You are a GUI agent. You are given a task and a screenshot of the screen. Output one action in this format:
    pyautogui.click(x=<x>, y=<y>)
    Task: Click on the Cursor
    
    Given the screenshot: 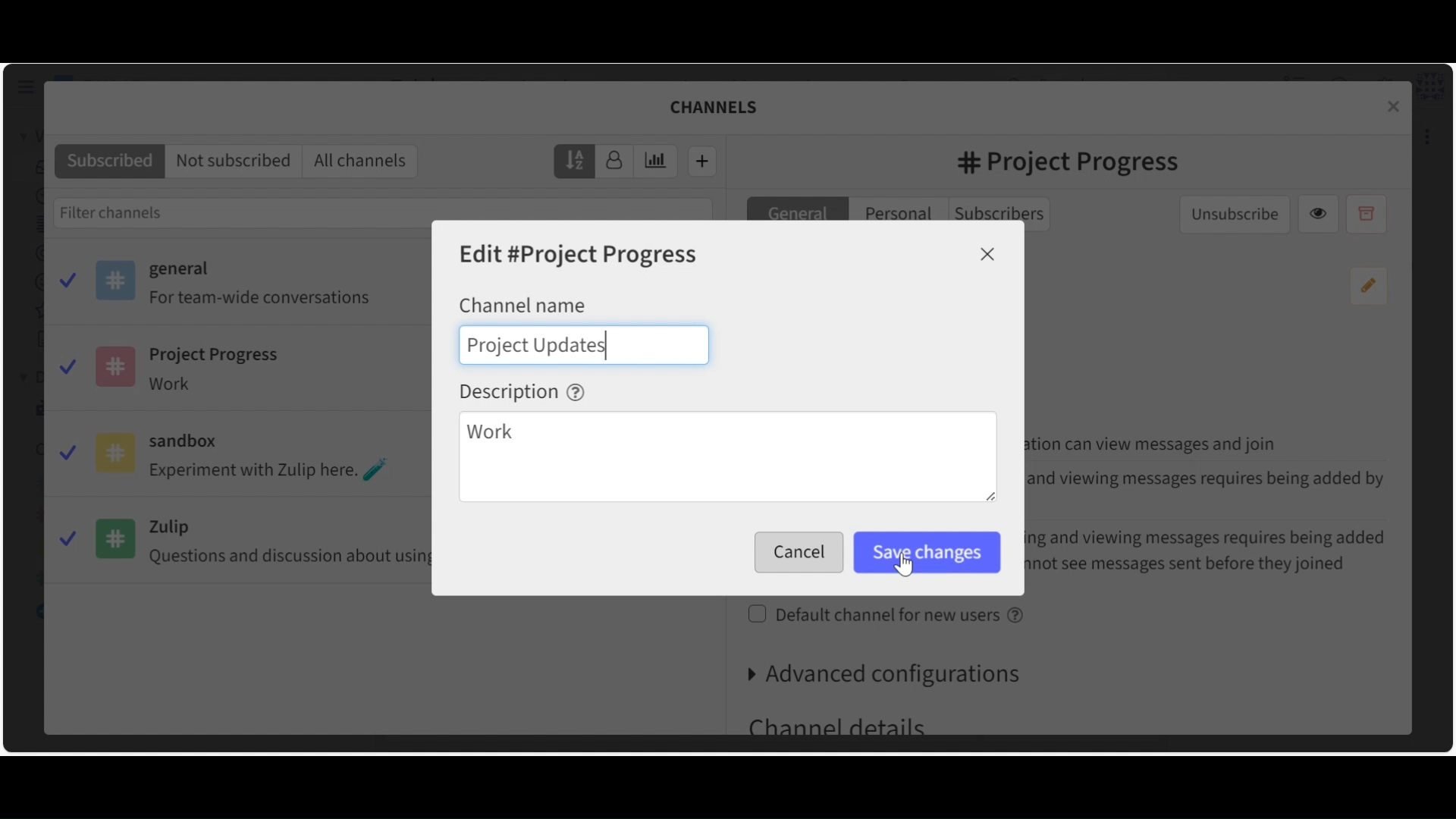 What is the action you would take?
    pyautogui.click(x=908, y=565)
    